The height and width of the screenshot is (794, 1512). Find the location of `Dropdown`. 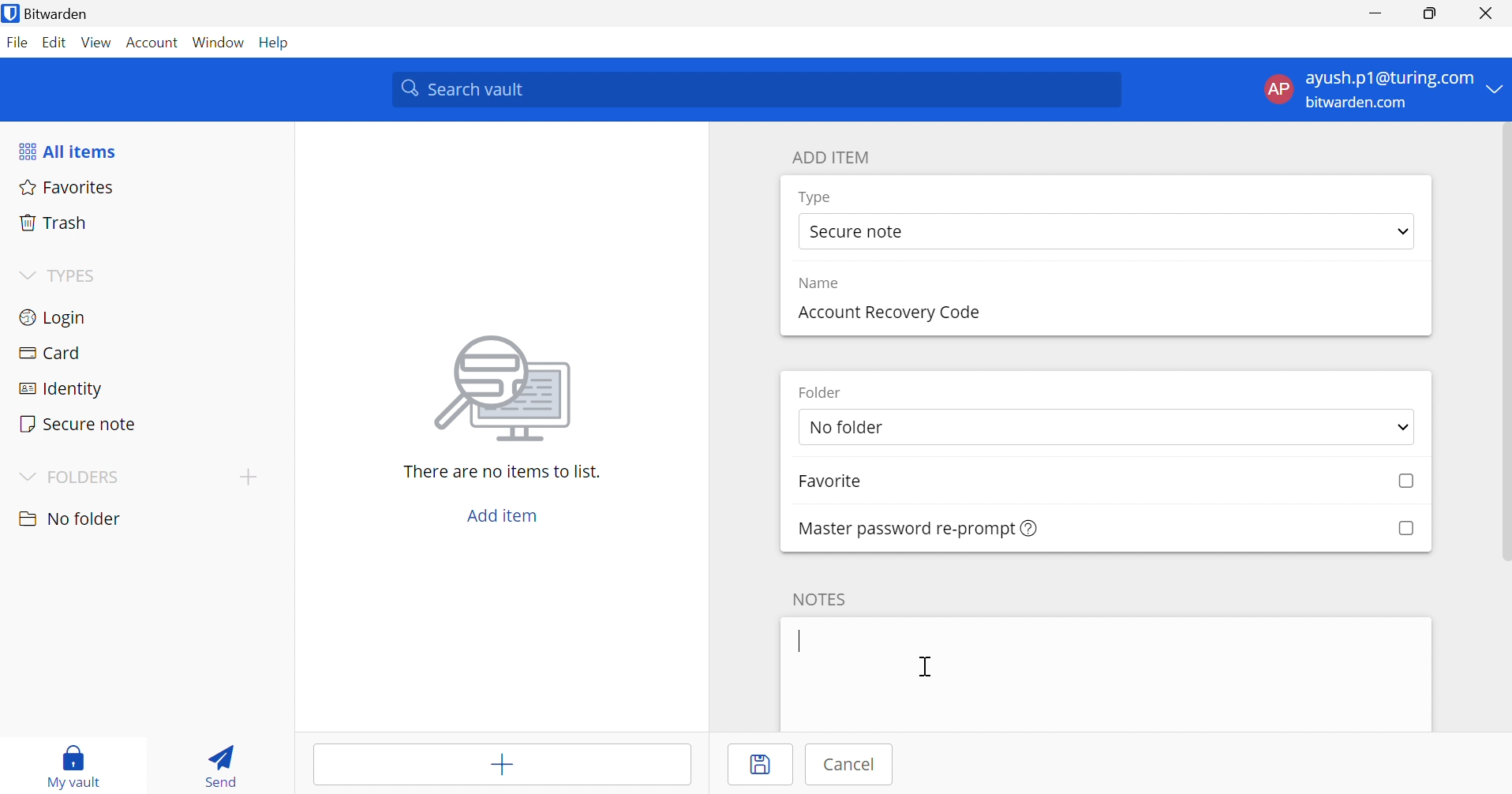

Dropdown is located at coordinates (25, 276).